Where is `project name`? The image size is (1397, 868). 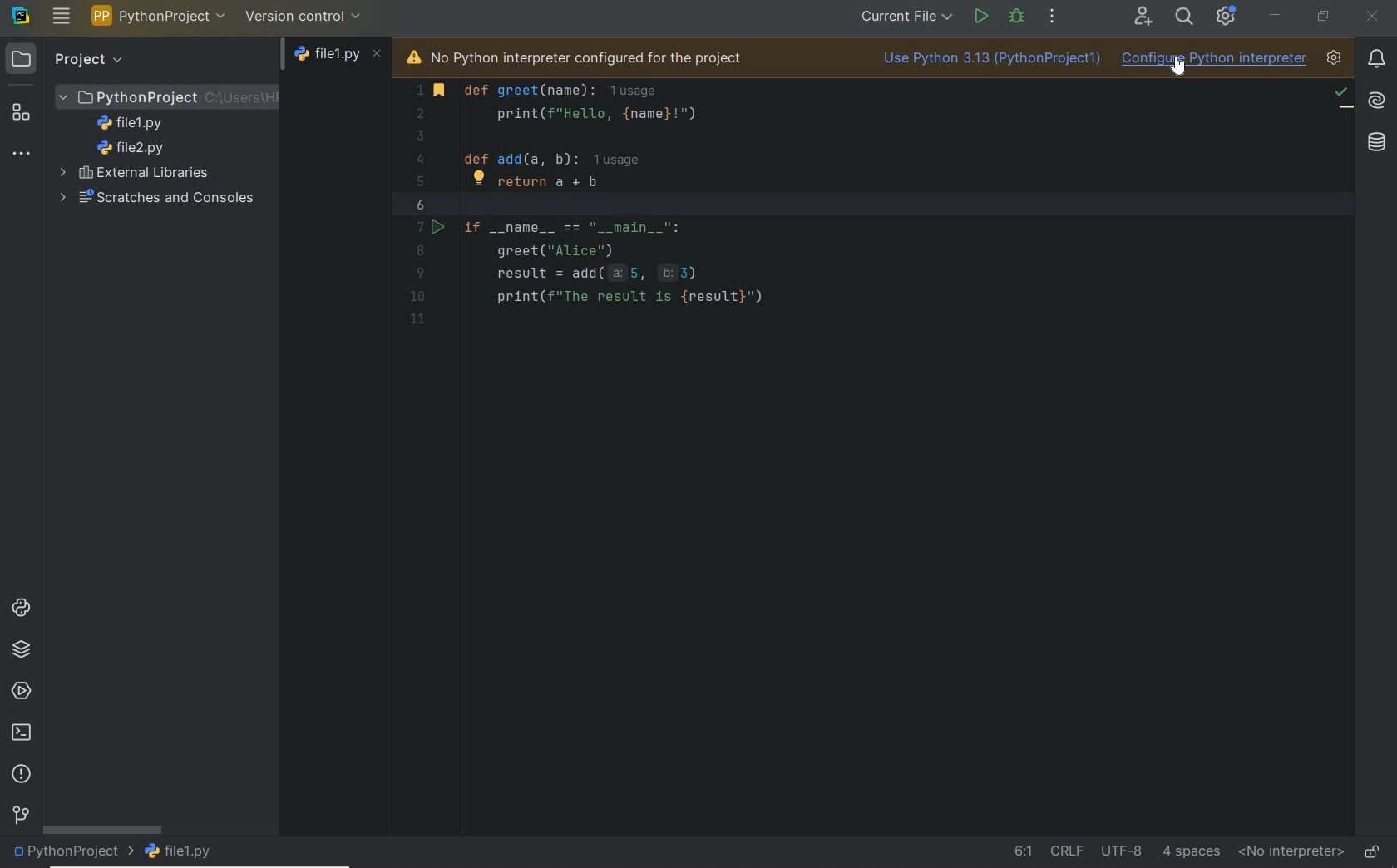 project name is located at coordinates (159, 16).